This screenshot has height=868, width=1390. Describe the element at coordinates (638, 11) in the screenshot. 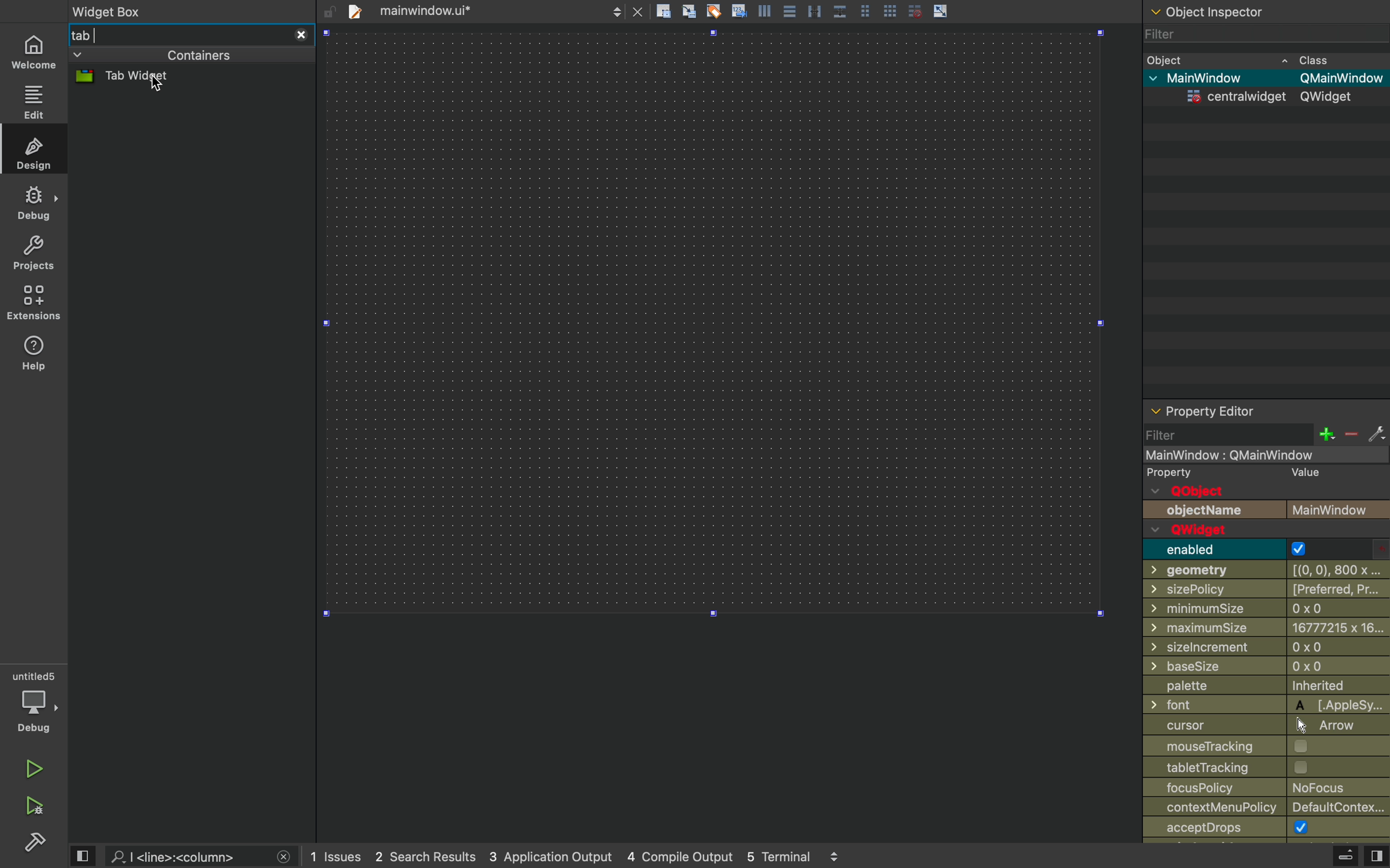

I see `close` at that location.